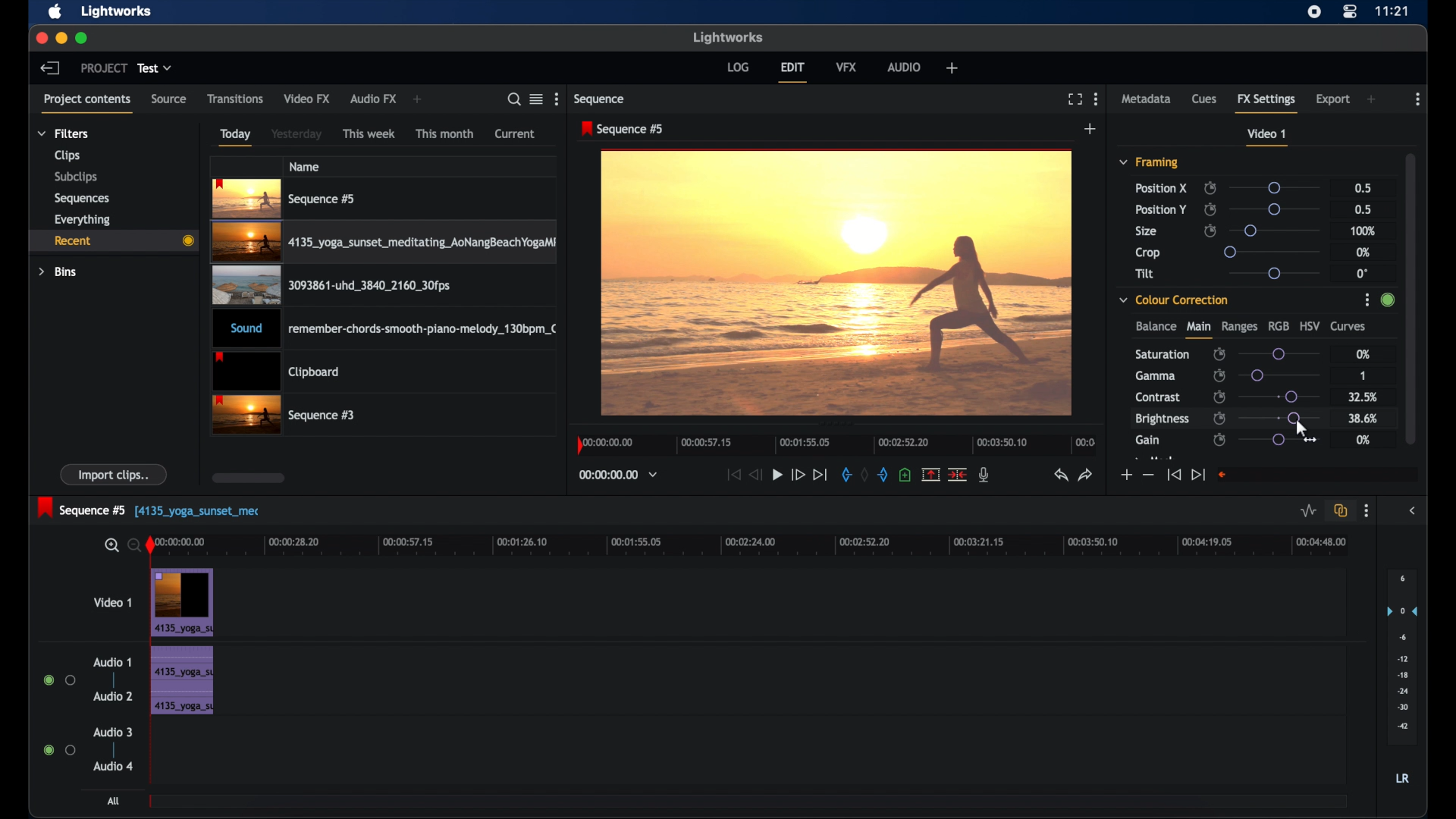 Image resolution: width=1456 pixels, height=819 pixels. I want to click on everything, so click(82, 220).